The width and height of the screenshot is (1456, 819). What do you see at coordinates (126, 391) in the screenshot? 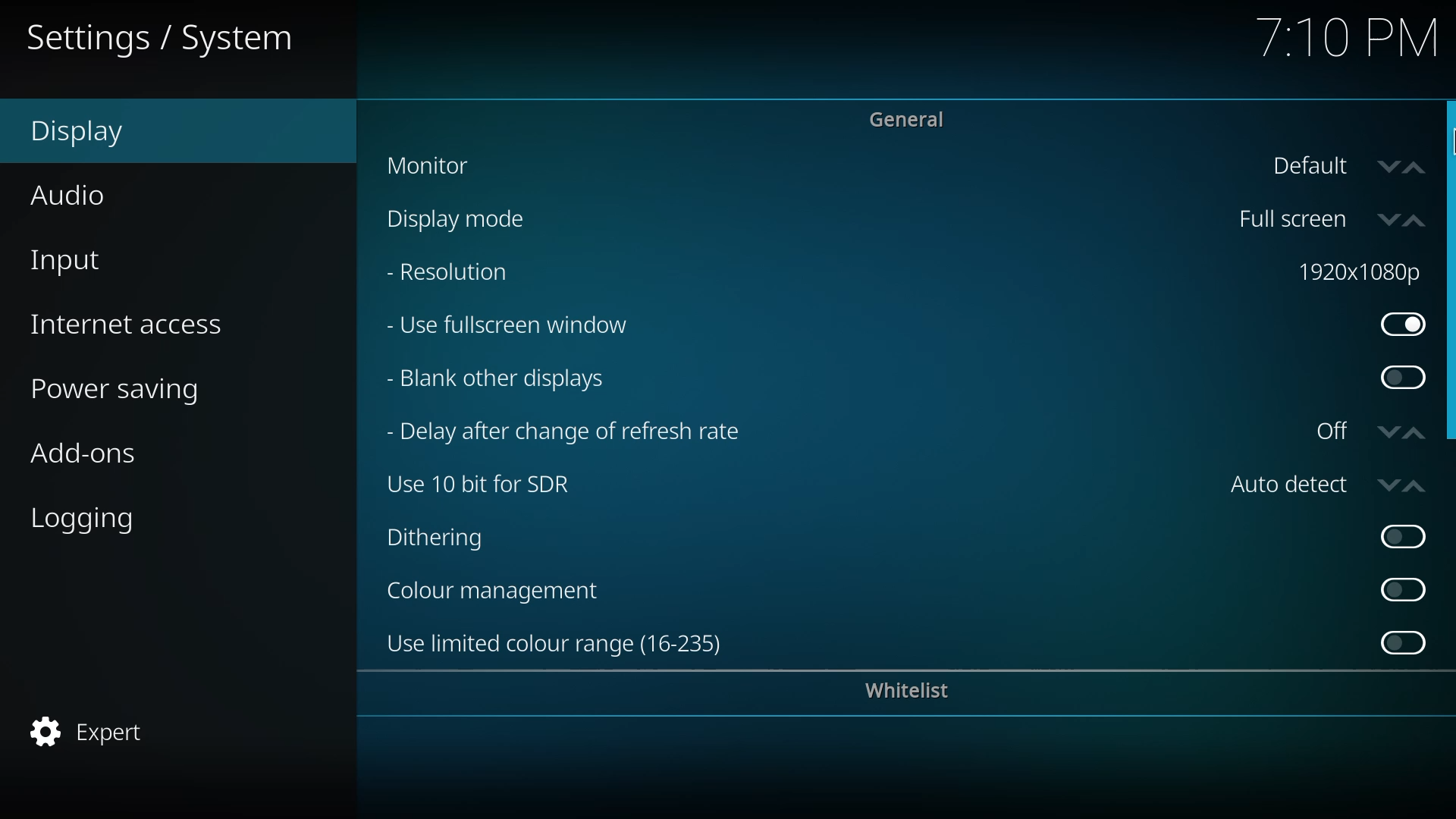
I see `power saving` at bounding box center [126, 391].